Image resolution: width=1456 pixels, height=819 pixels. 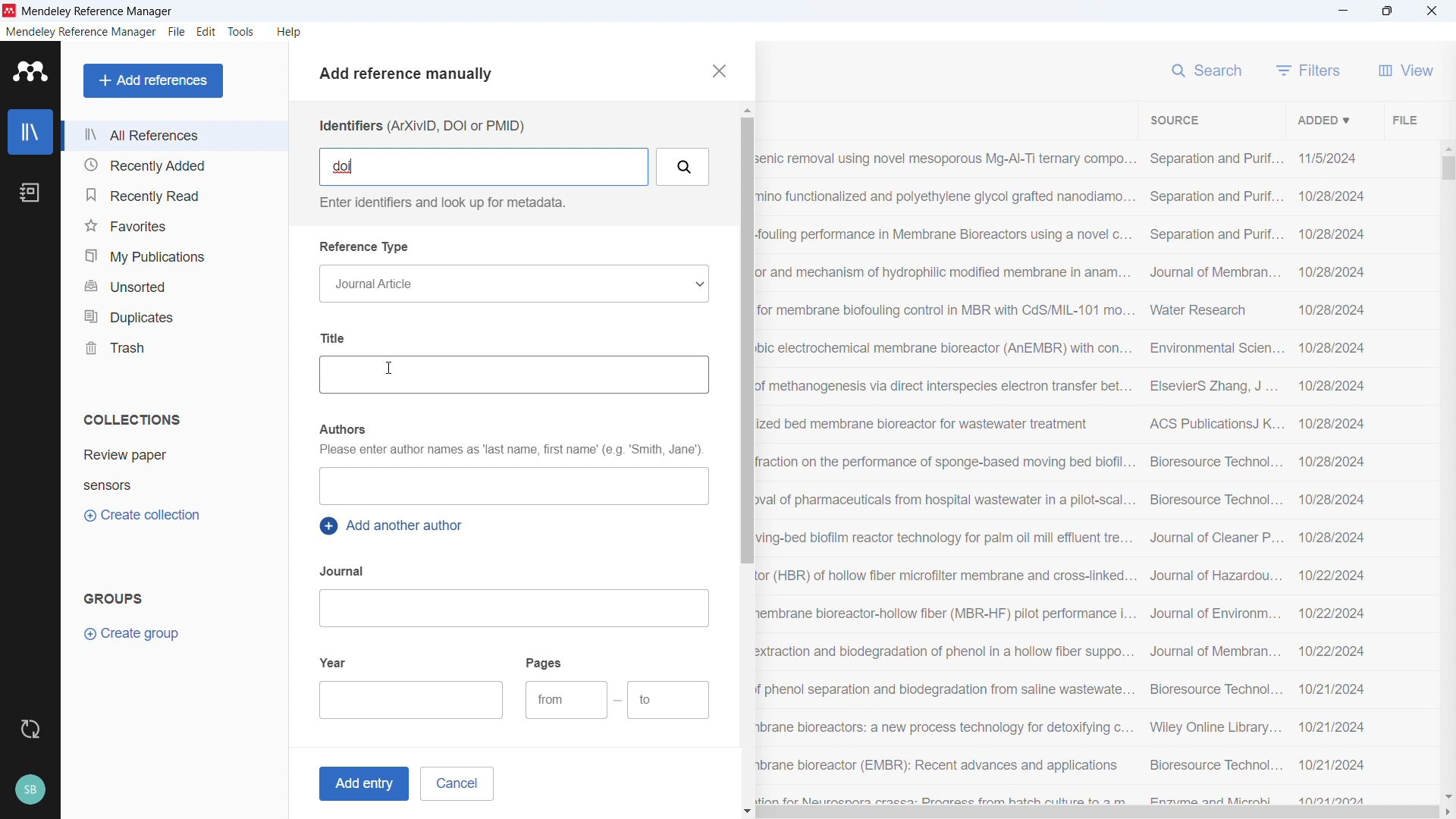 What do you see at coordinates (412, 76) in the screenshot?
I see `Add references manually ` at bounding box center [412, 76].